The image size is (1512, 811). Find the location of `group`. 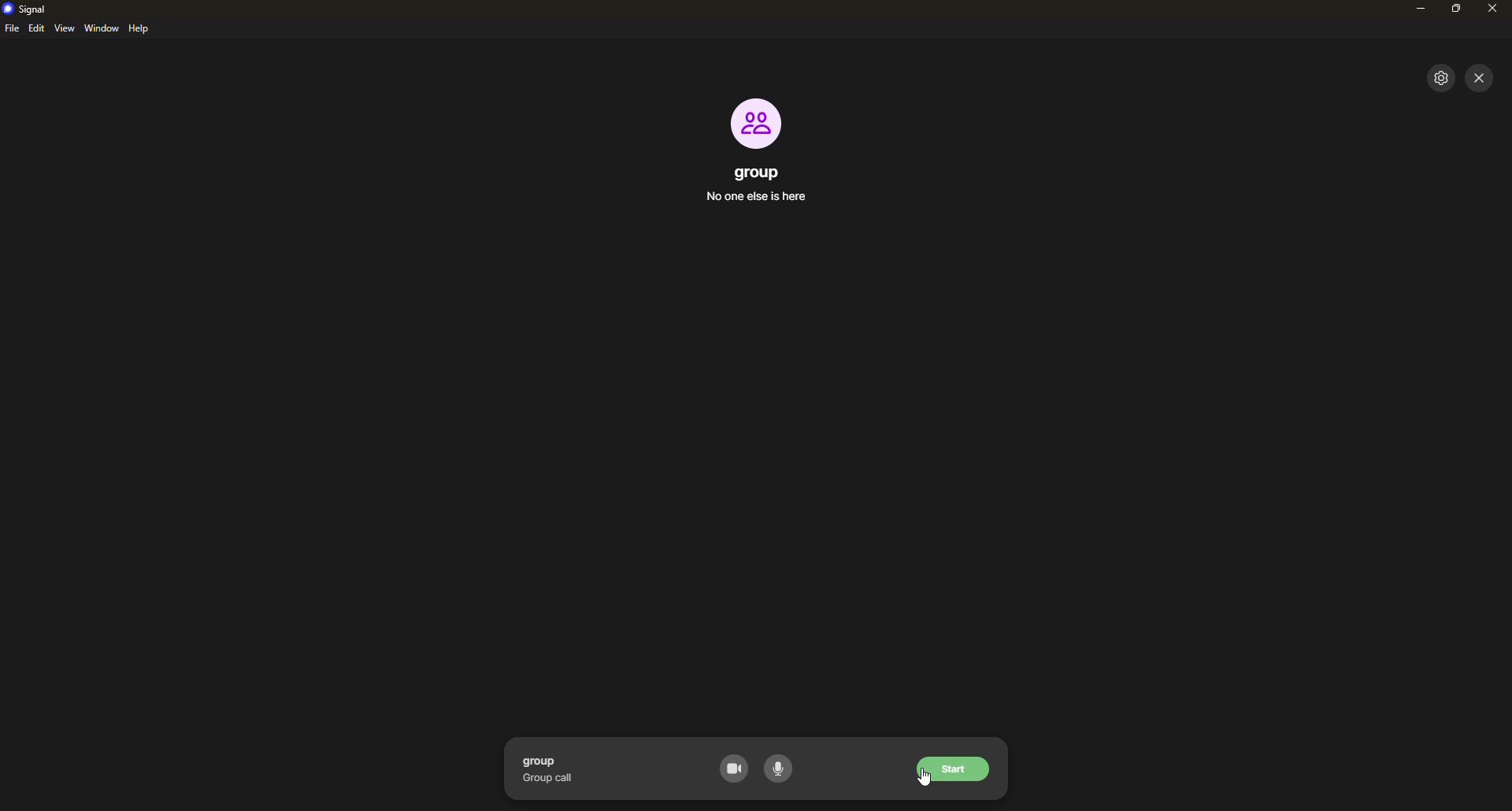

group is located at coordinates (757, 187).